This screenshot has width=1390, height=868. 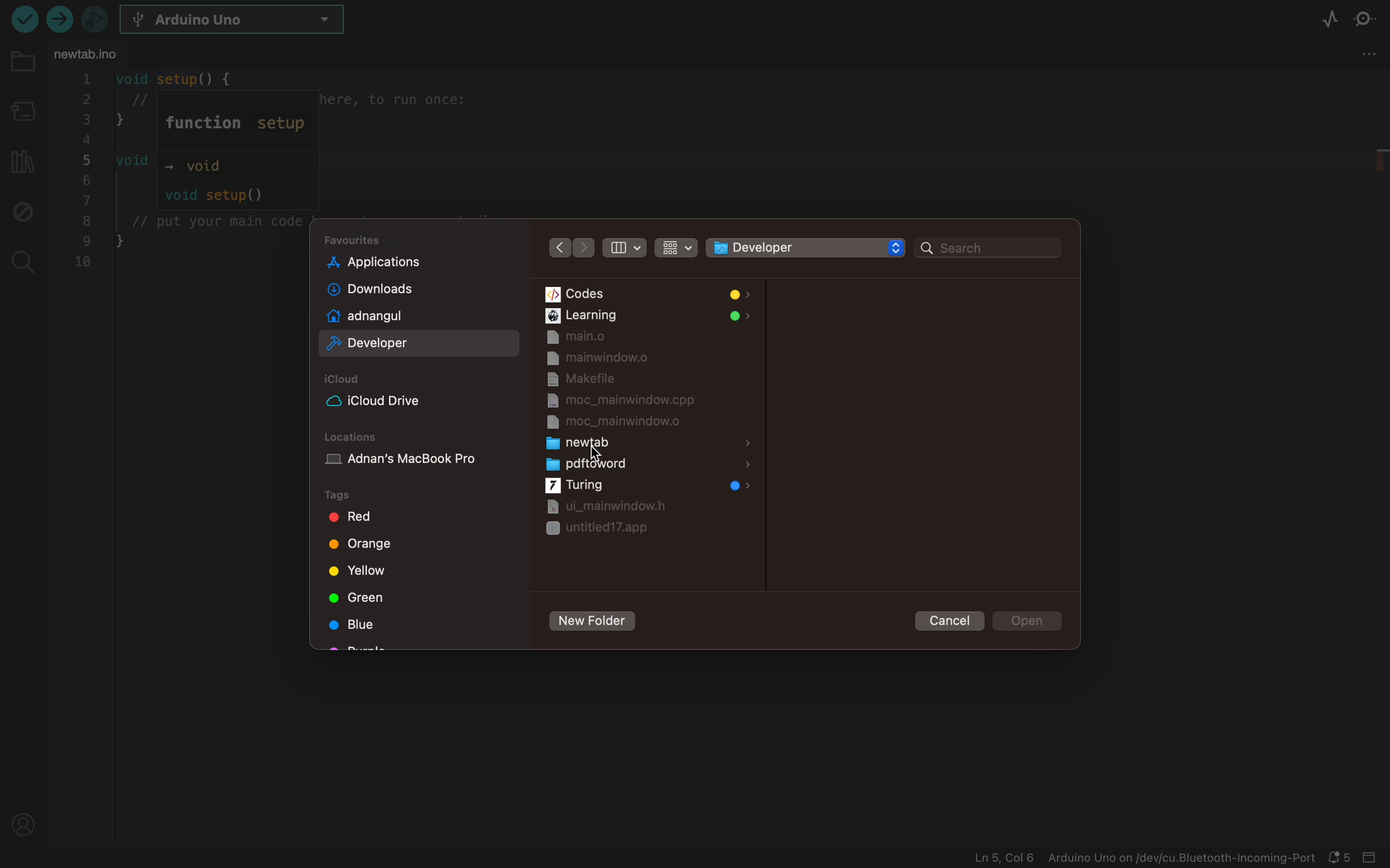 What do you see at coordinates (20, 158) in the screenshot?
I see `library manager` at bounding box center [20, 158].